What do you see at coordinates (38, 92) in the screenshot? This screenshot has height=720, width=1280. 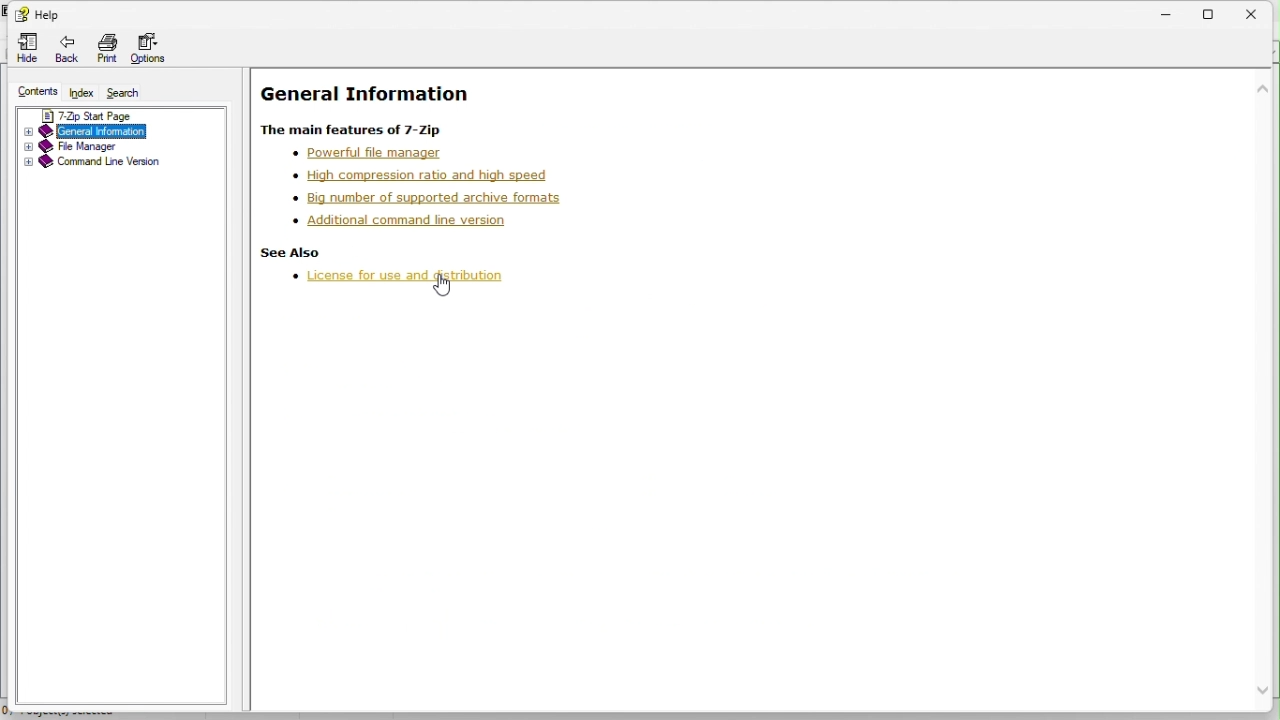 I see `Contents` at bounding box center [38, 92].